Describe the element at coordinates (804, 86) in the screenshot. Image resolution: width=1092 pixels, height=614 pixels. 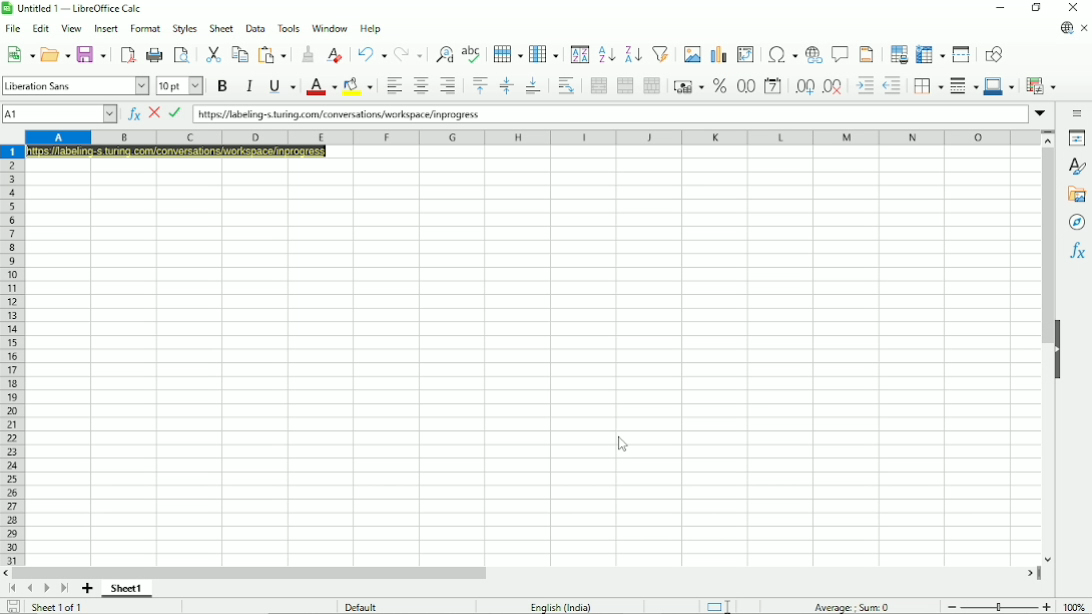
I see `Add decimal place` at that location.